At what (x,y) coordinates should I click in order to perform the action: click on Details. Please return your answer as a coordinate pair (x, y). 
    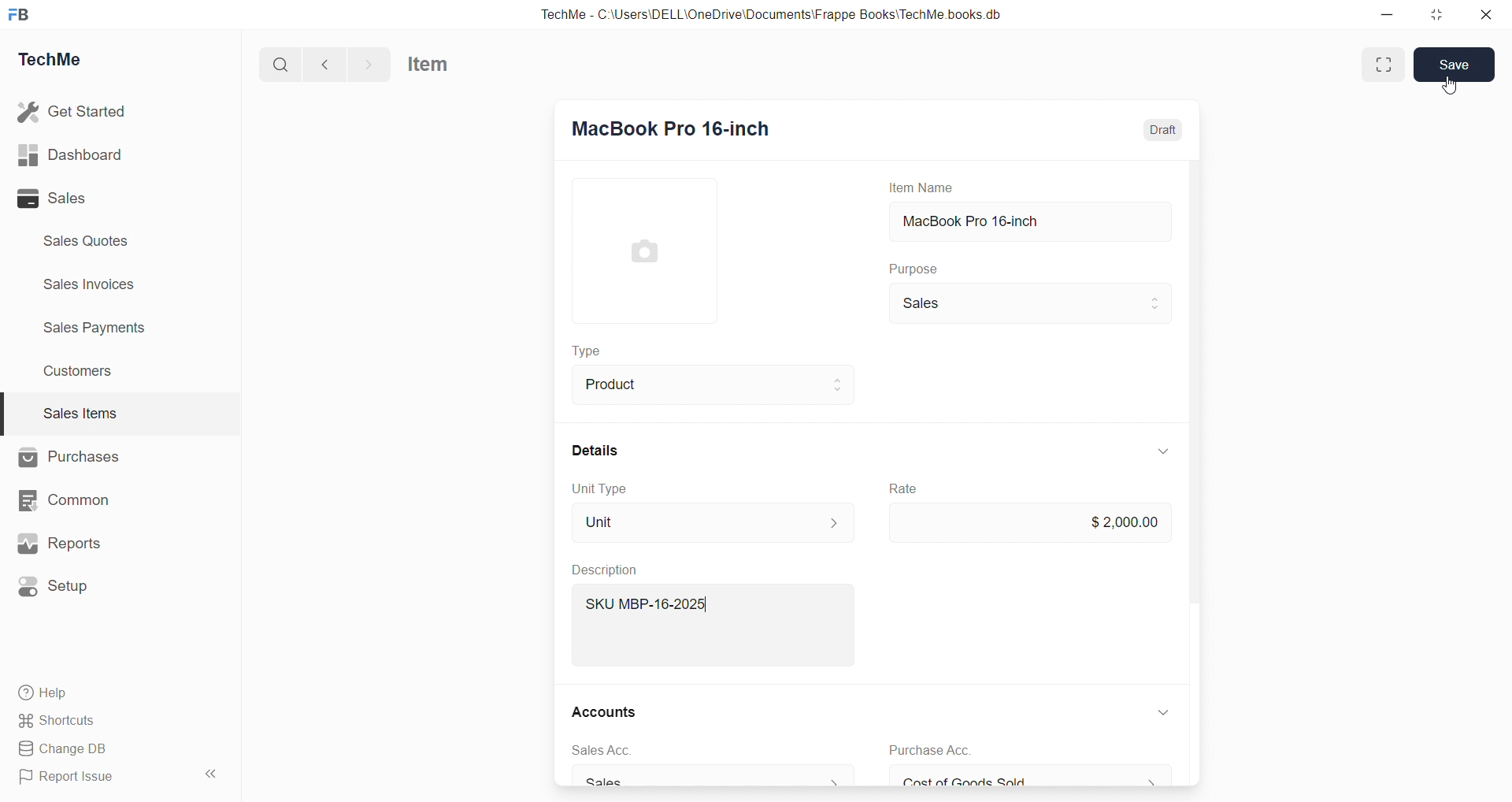
    Looking at the image, I should click on (595, 451).